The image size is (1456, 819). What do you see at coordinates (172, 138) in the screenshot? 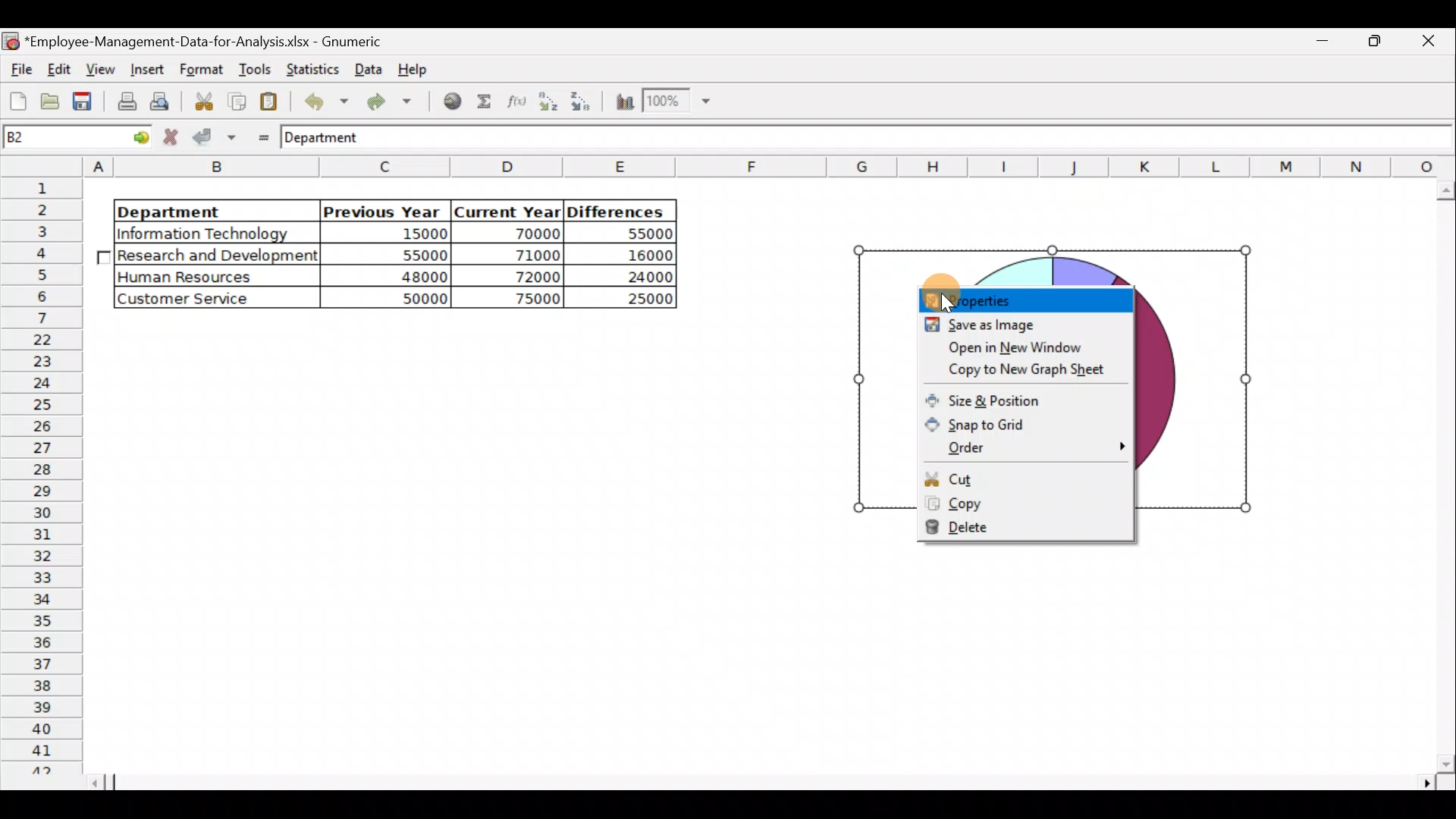
I see `Cancel change` at bounding box center [172, 138].